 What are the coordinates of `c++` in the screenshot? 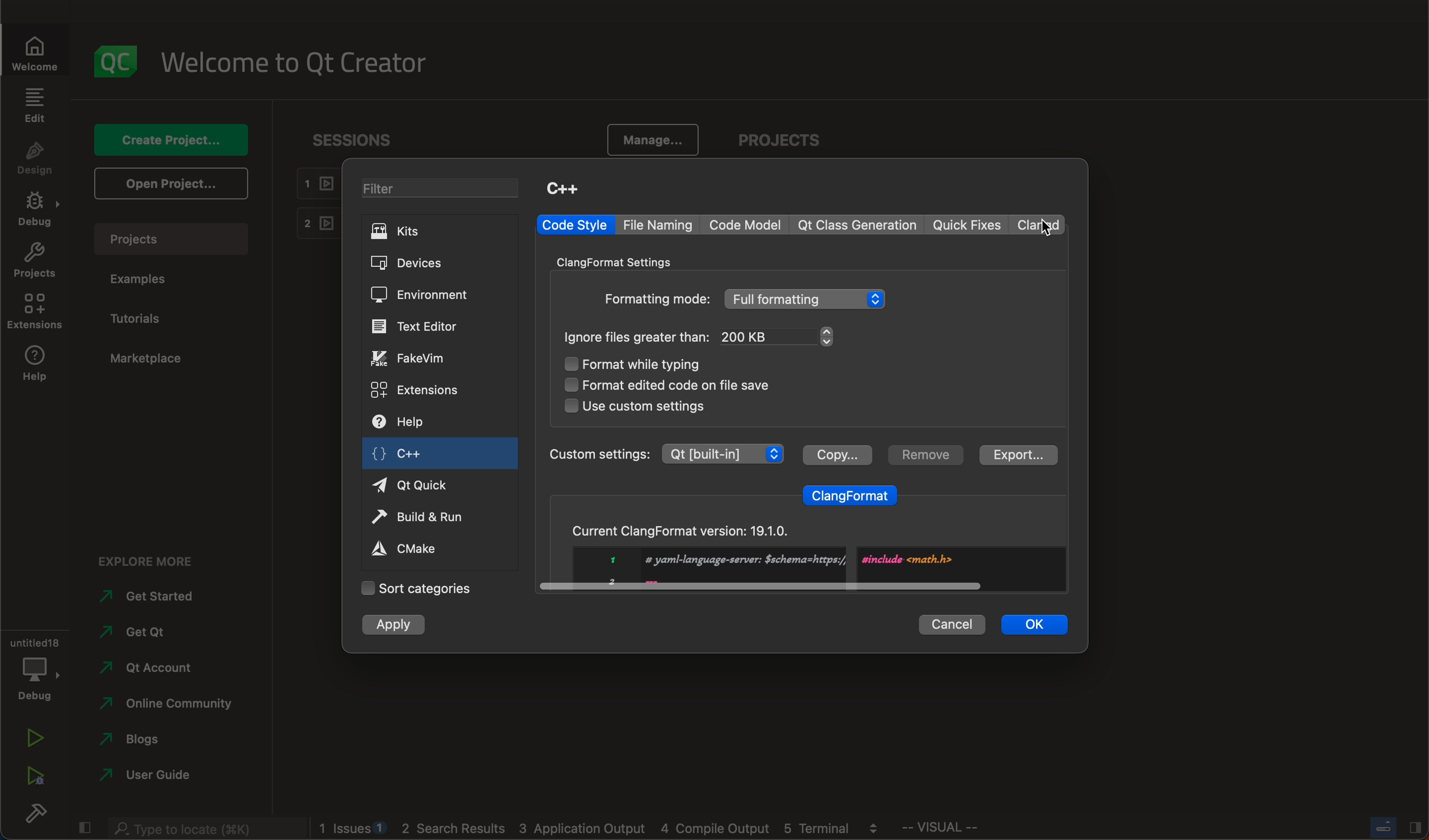 It's located at (438, 452).